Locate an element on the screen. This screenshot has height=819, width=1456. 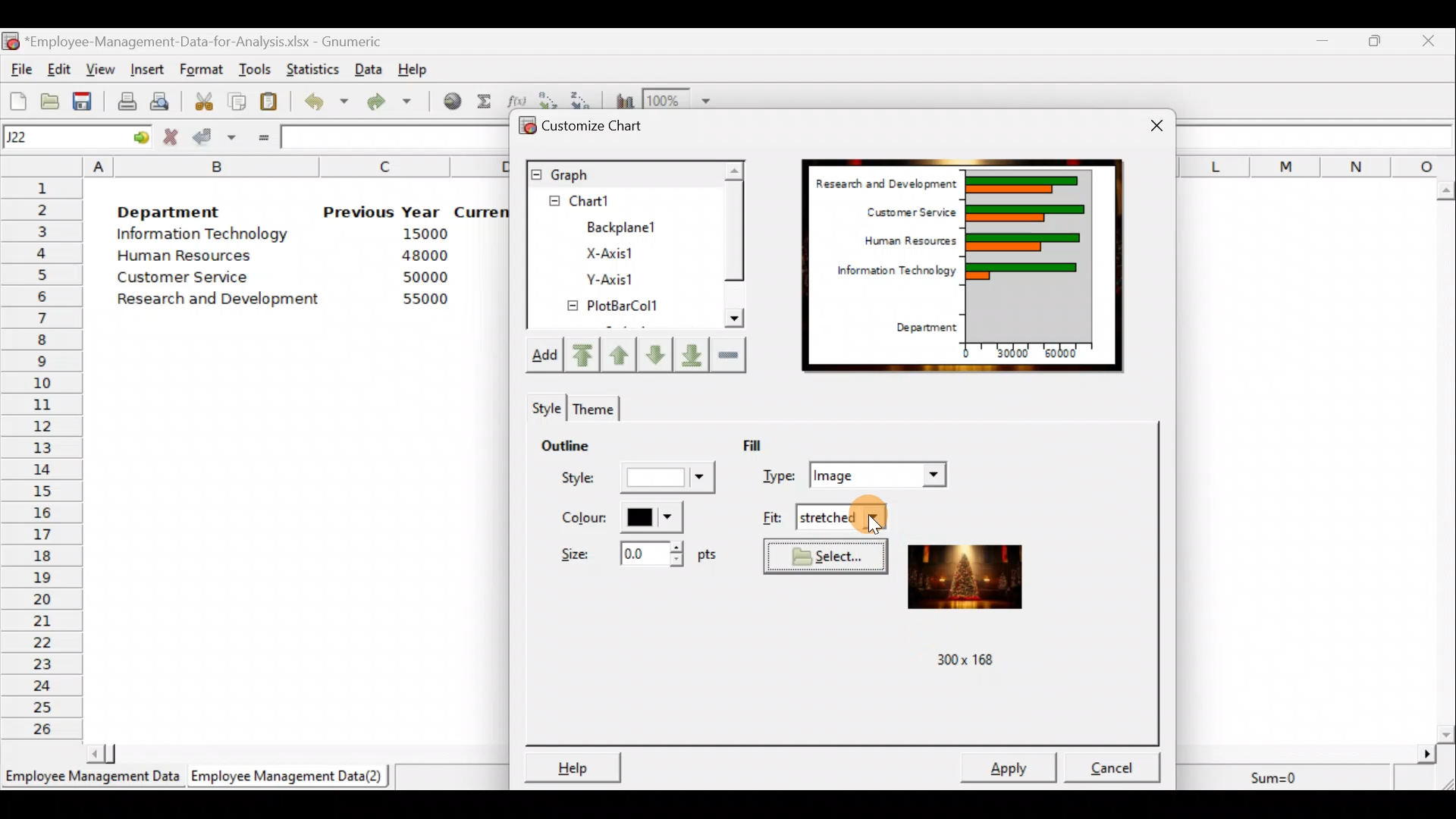
Help is located at coordinates (413, 66).